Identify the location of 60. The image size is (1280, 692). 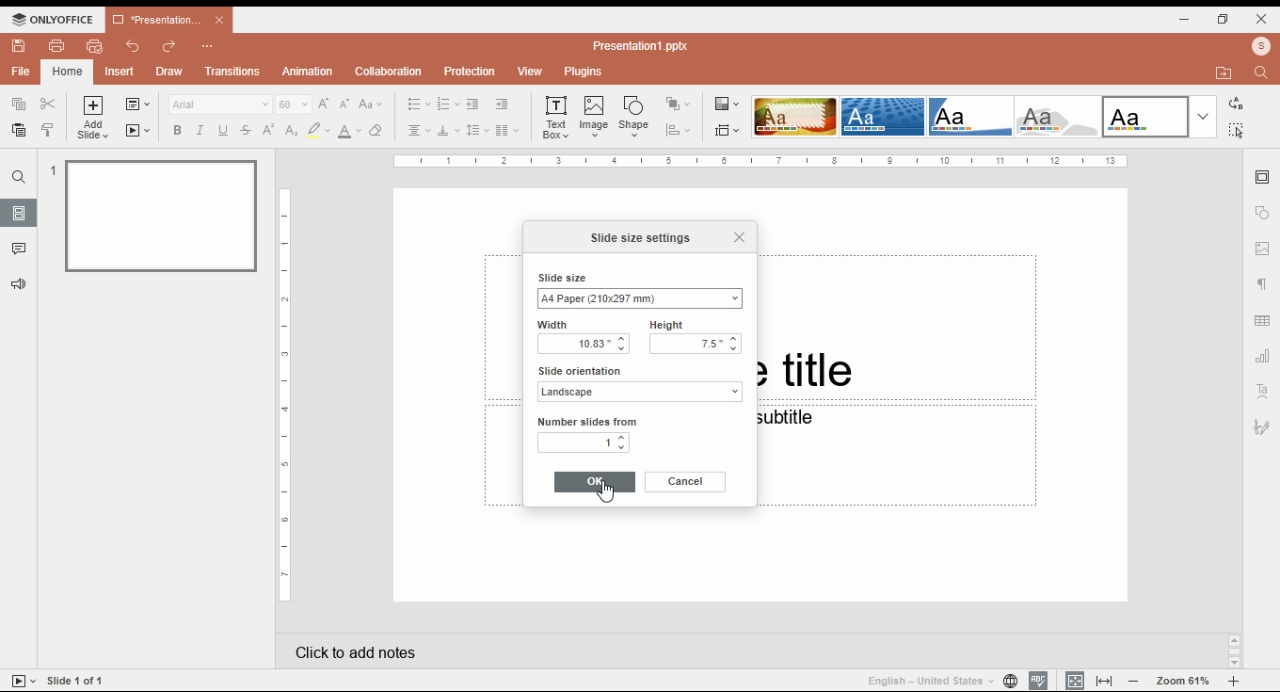
(294, 104).